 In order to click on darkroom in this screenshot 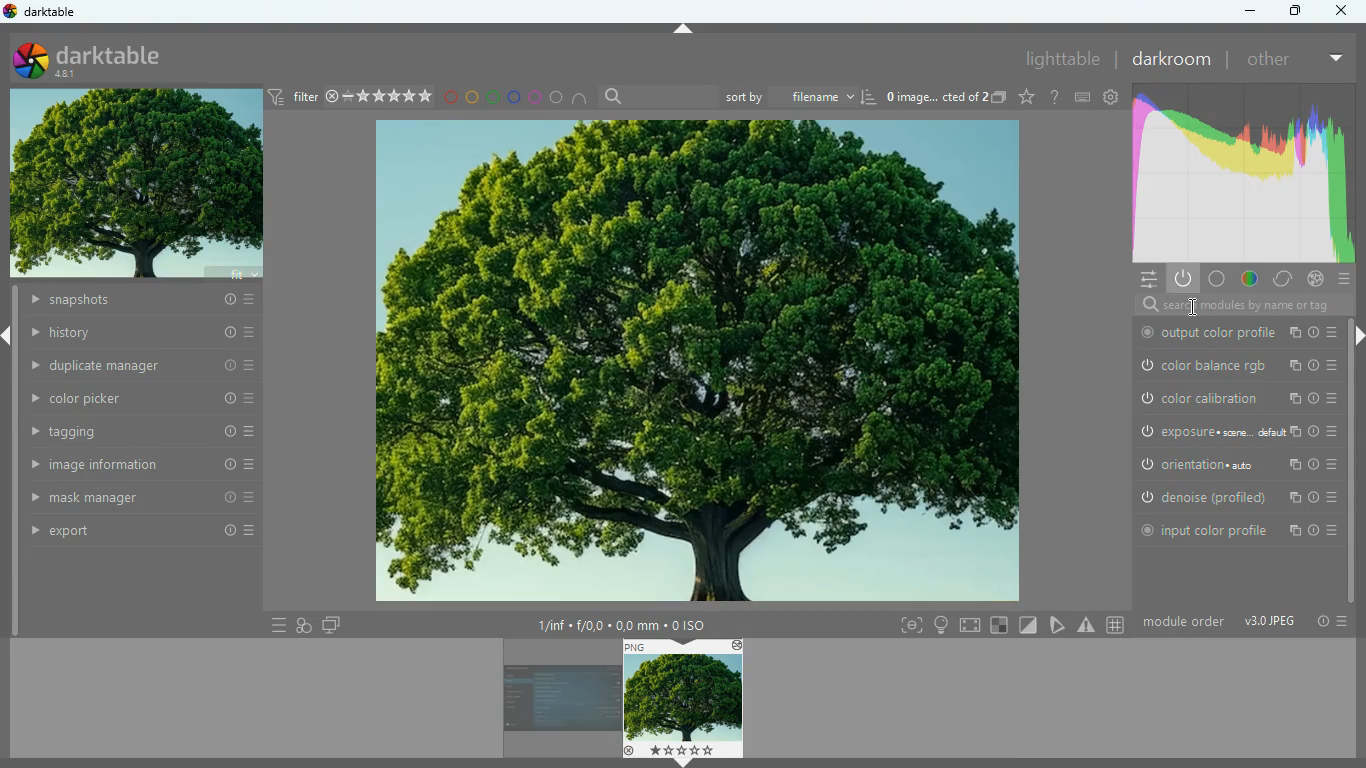, I will do `click(1170, 58)`.